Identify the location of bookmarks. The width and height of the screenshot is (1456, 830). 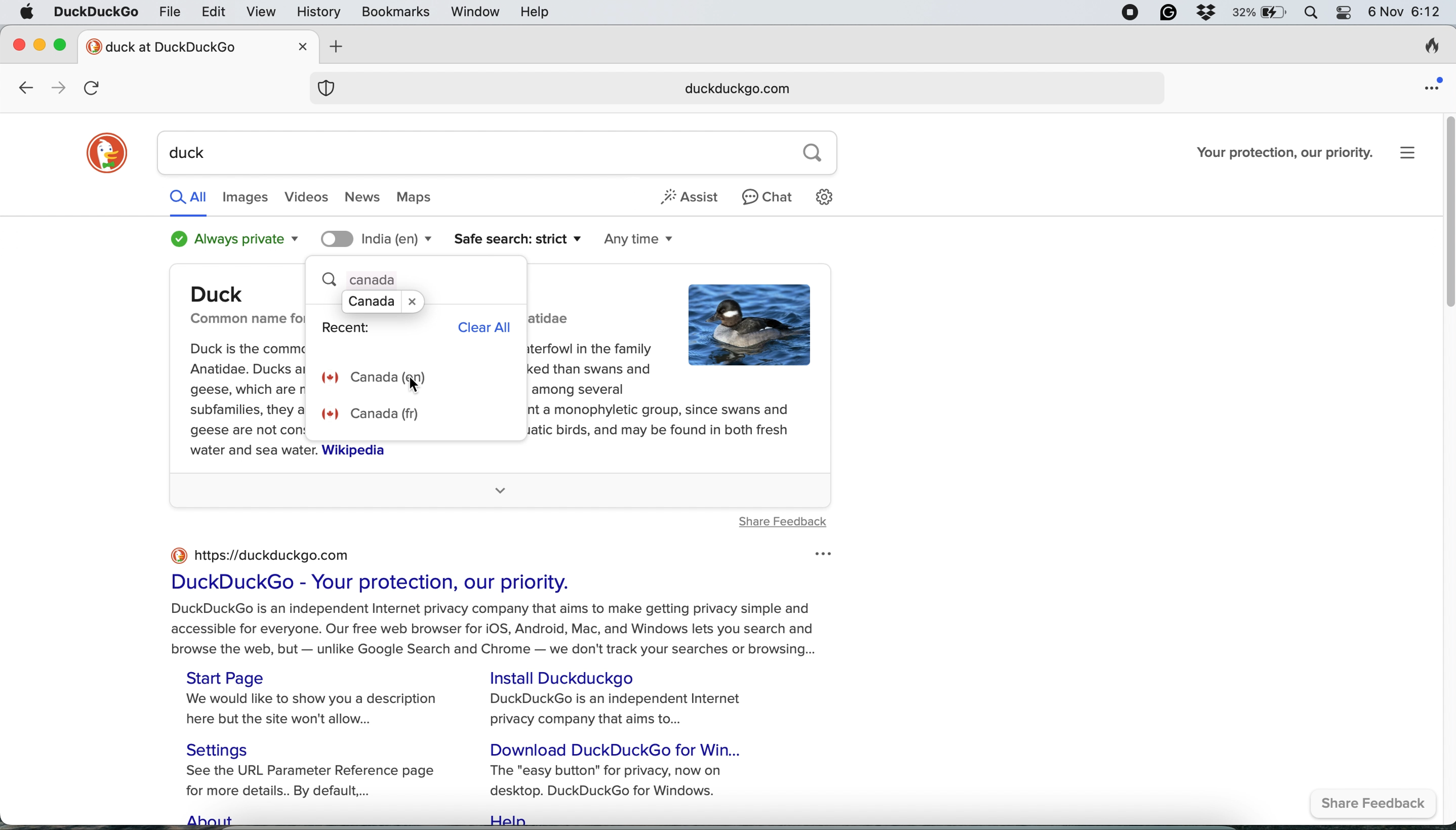
(396, 13).